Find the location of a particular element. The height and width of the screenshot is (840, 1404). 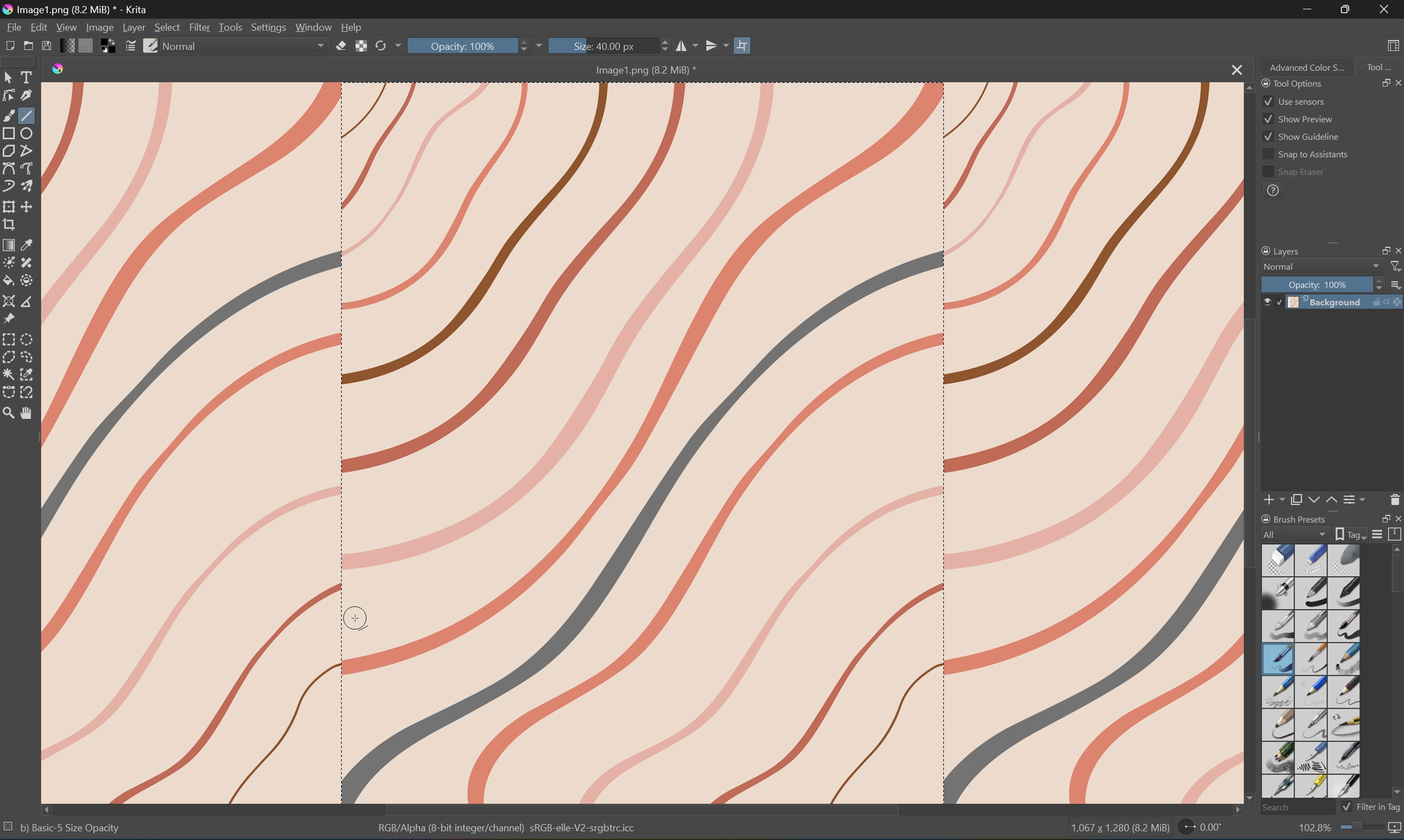

Scroll Down is located at coordinates (1395, 792).